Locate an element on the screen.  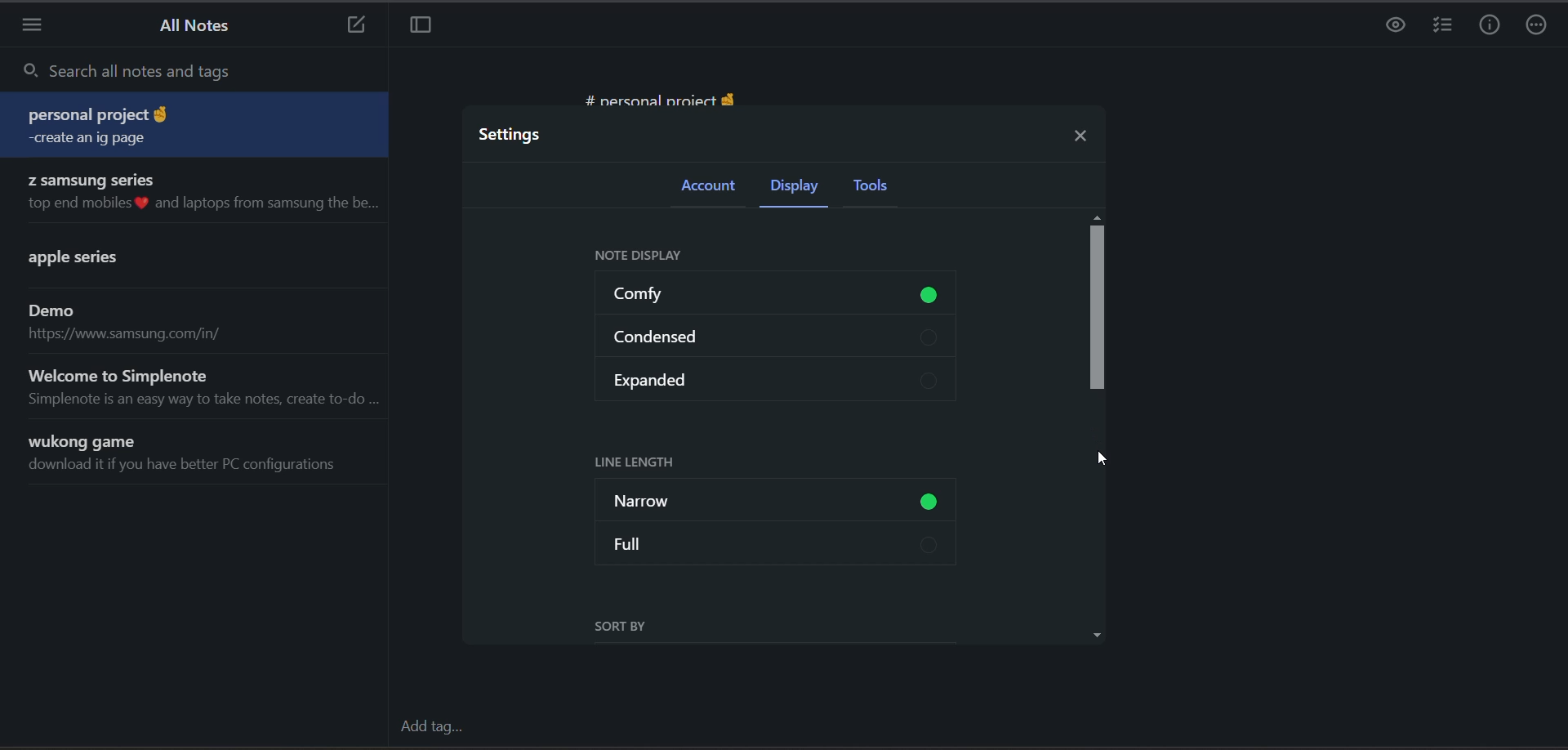
Up is located at coordinates (1098, 215).